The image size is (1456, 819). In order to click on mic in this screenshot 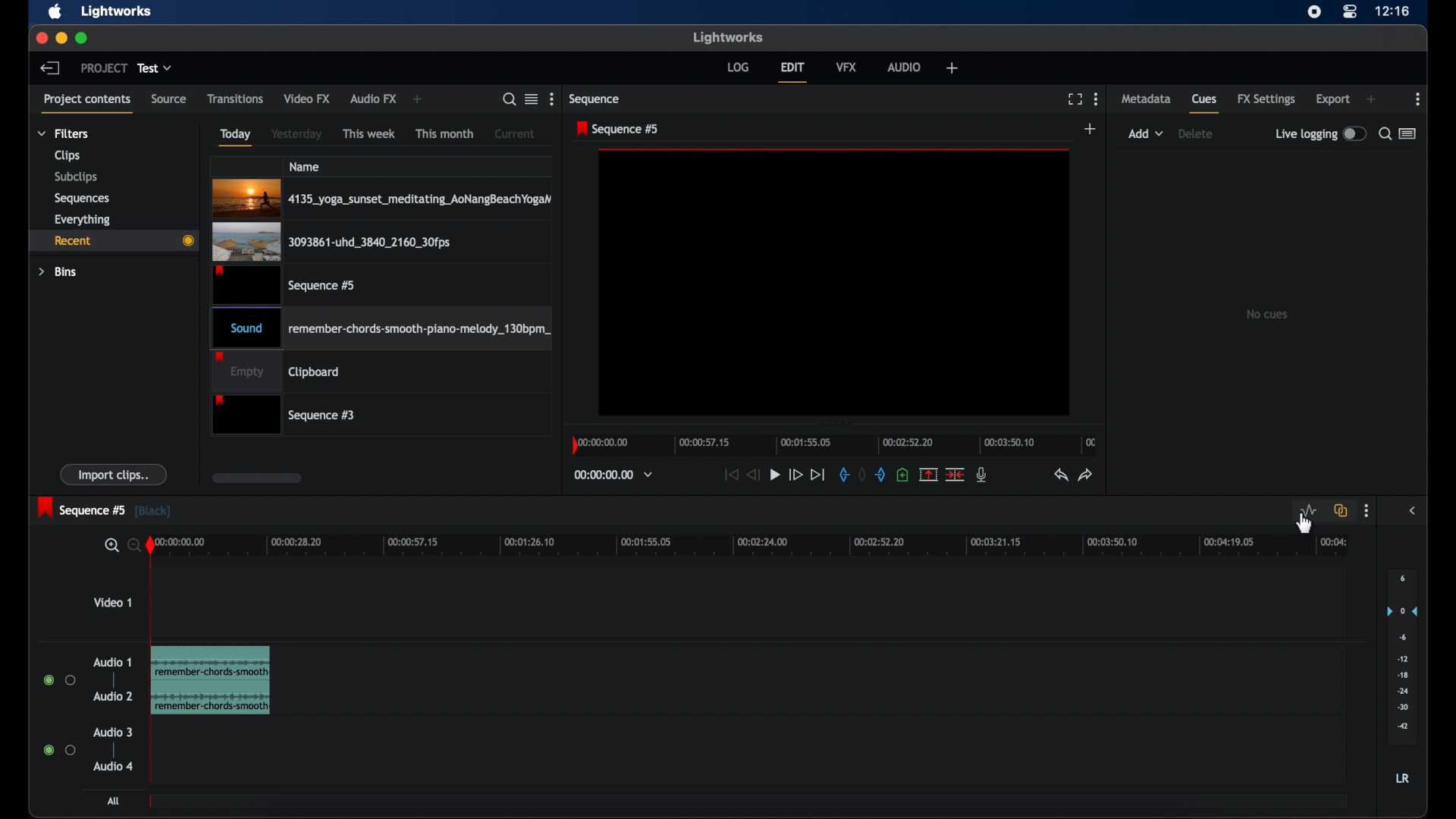, I will do `click(982, 475)`.